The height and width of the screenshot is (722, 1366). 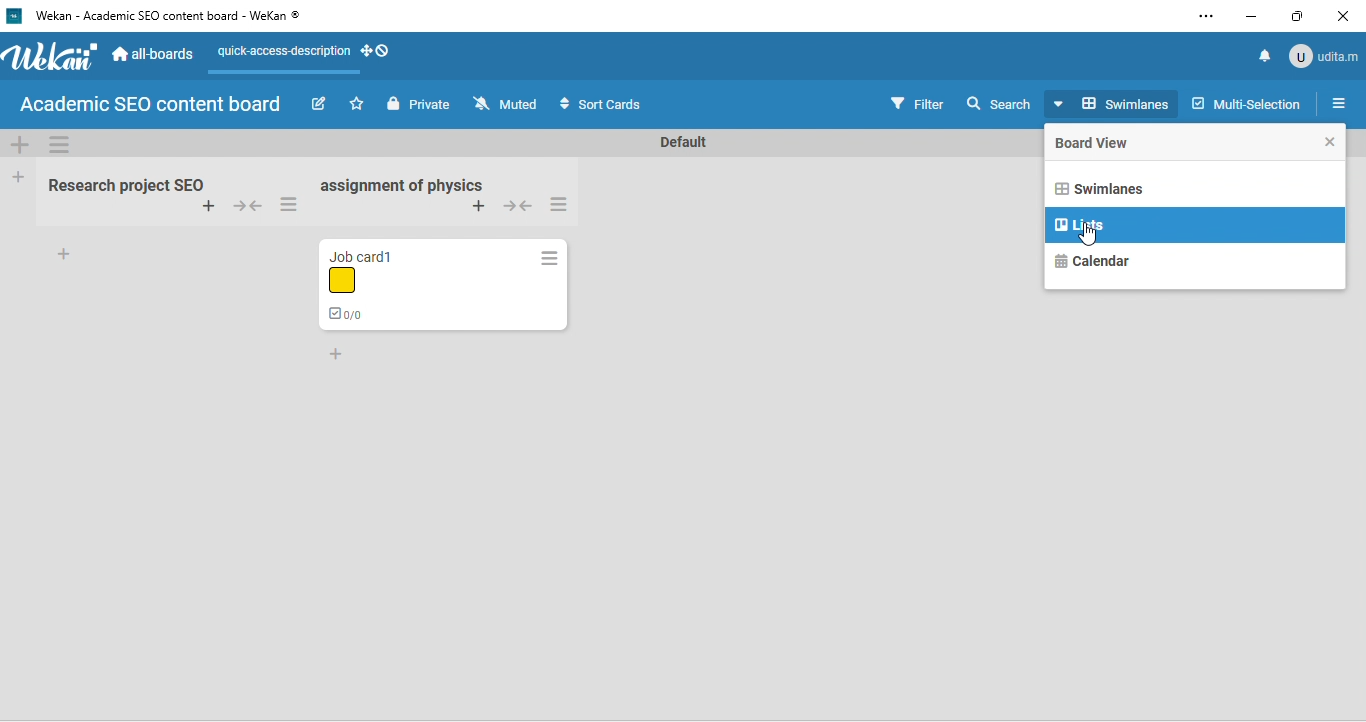 I want to click on filter, so click(x=917, y=102).